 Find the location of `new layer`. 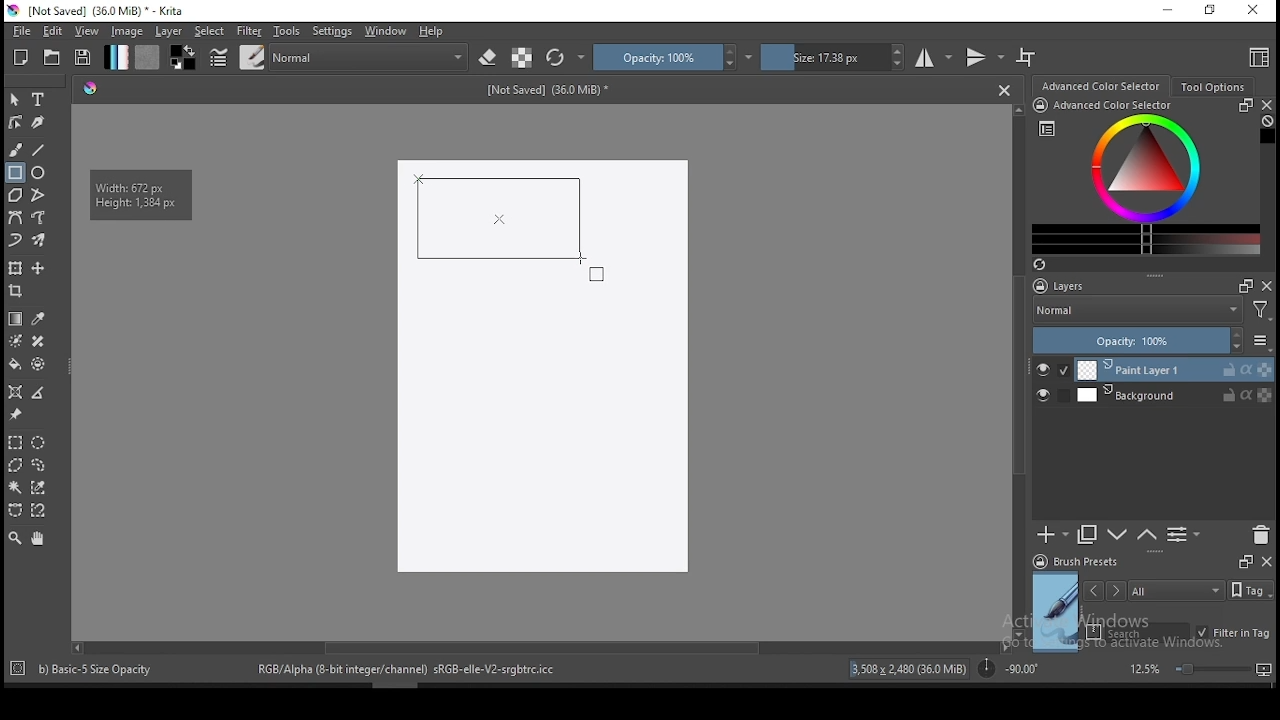

new layer is located at coordinates (1053, 534).